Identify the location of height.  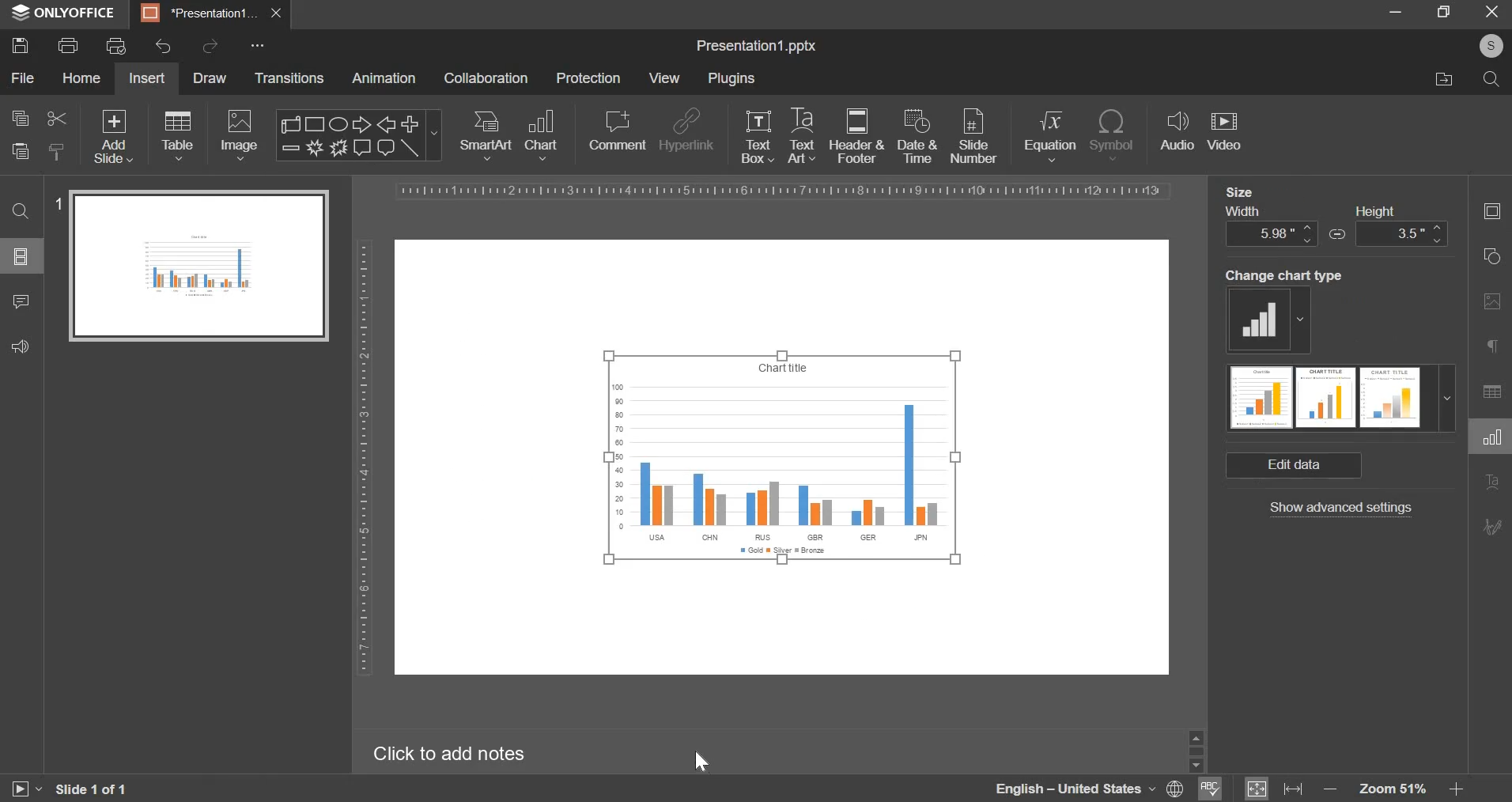
(1404, 225).